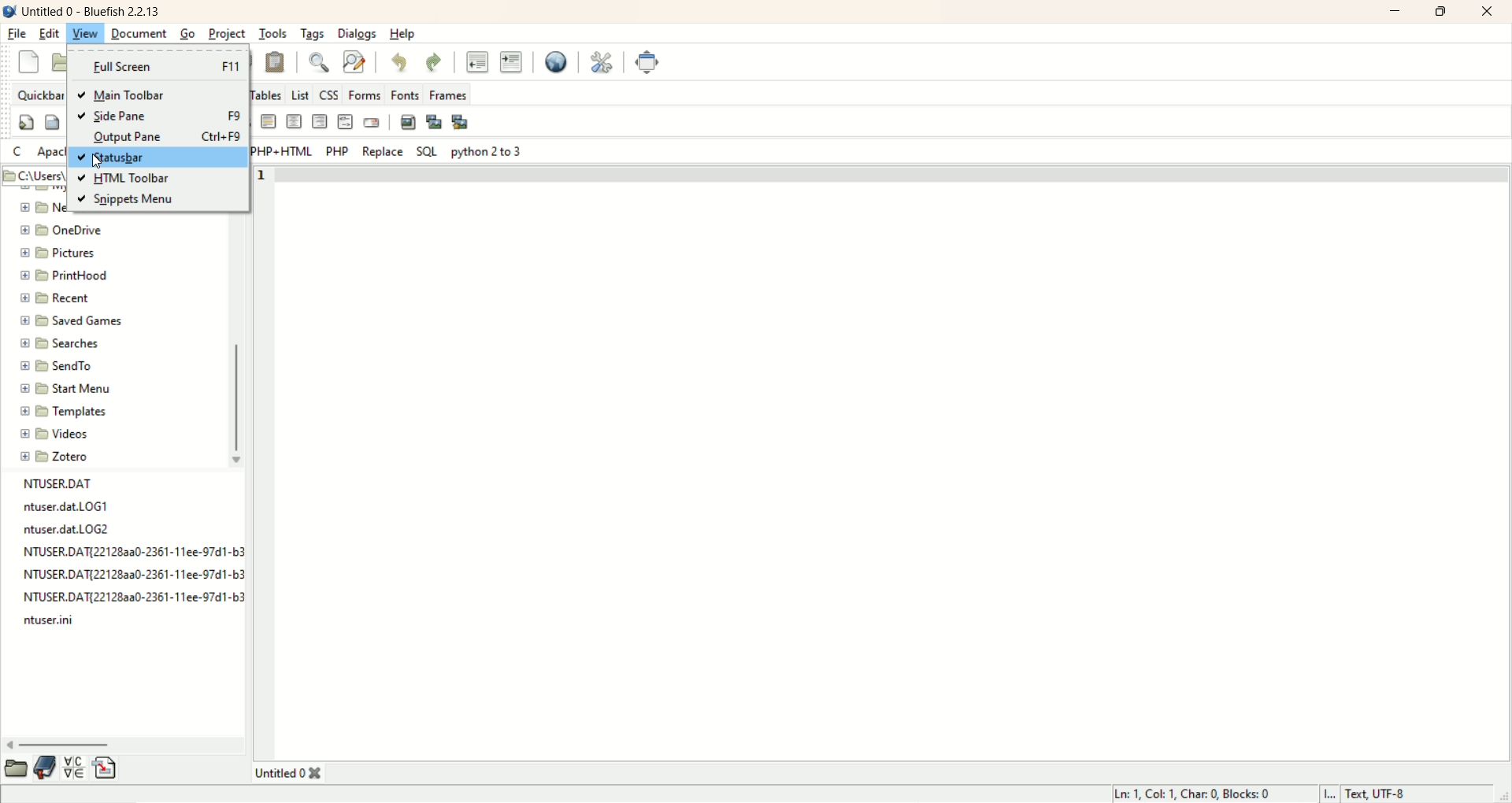 The height and width of the screenshot is (803, 1512). I want to click on printhood, so click(67, 276).